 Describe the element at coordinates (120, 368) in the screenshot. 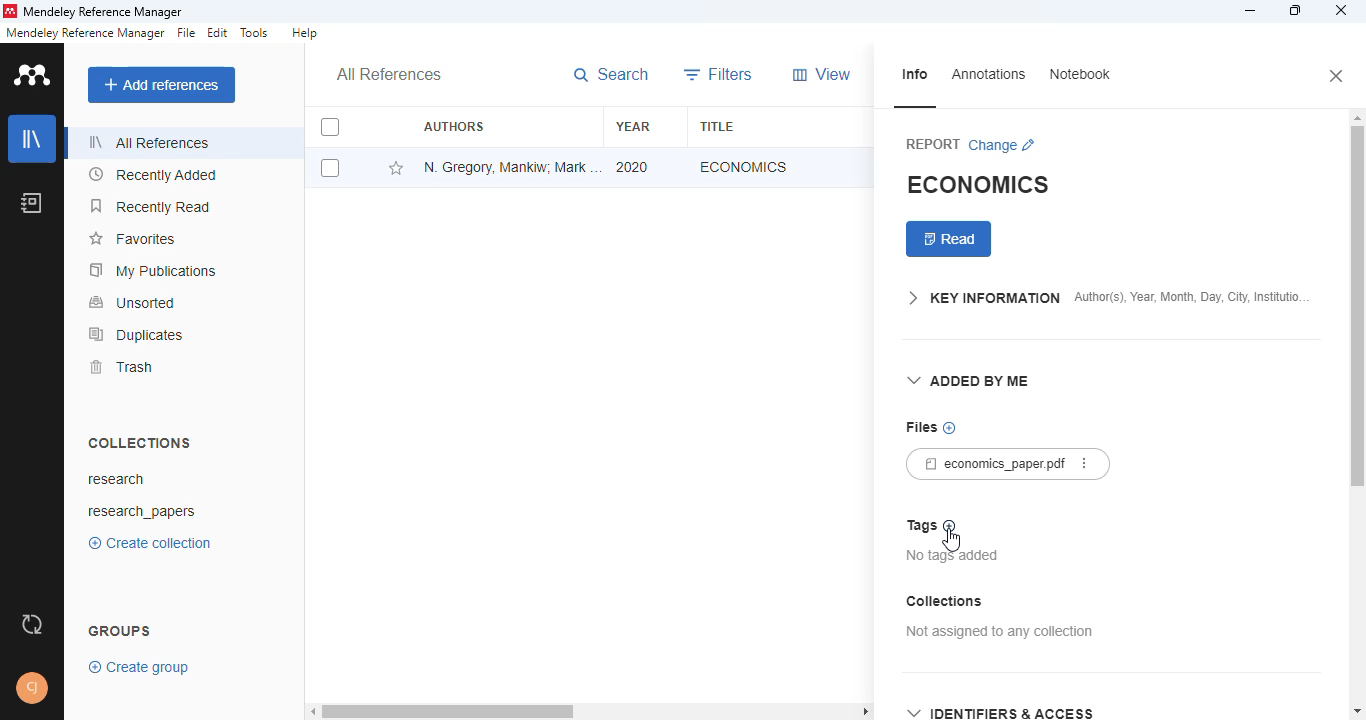

I see `trash` at that location.